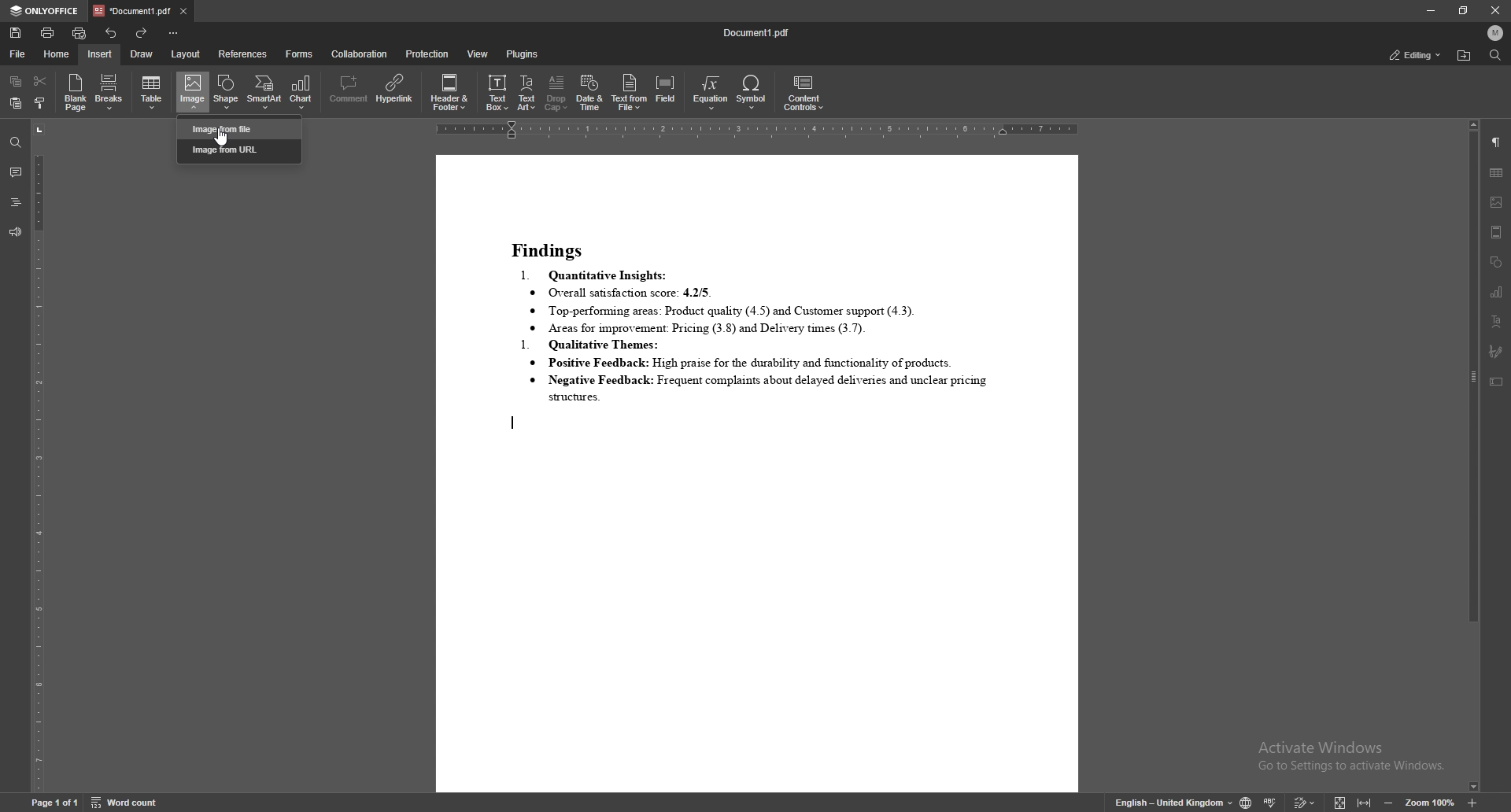 The width and height of the screenshot is (1511, 812). Describe the element at coordinates (1497, 11) in the screenshot. I see `close` at that location.